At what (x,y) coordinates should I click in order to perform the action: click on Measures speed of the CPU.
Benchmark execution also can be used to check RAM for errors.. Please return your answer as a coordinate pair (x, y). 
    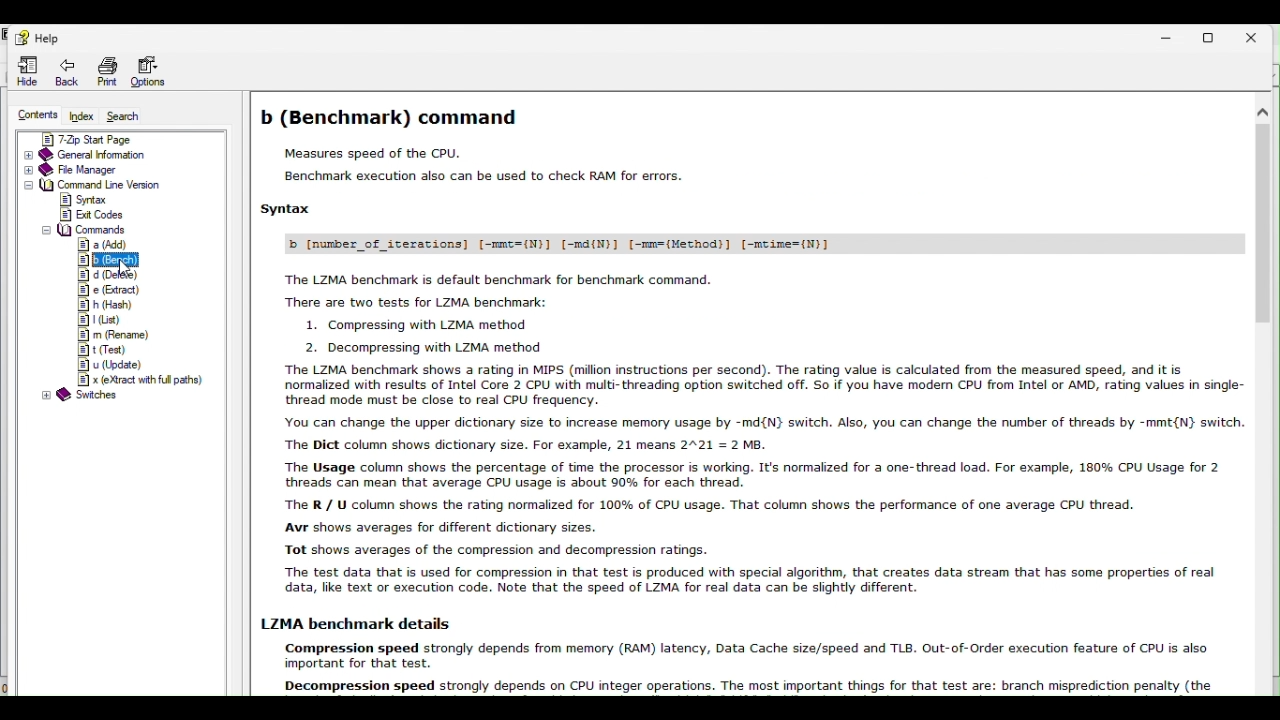
    Looking at the image, I should click on (501, 165).